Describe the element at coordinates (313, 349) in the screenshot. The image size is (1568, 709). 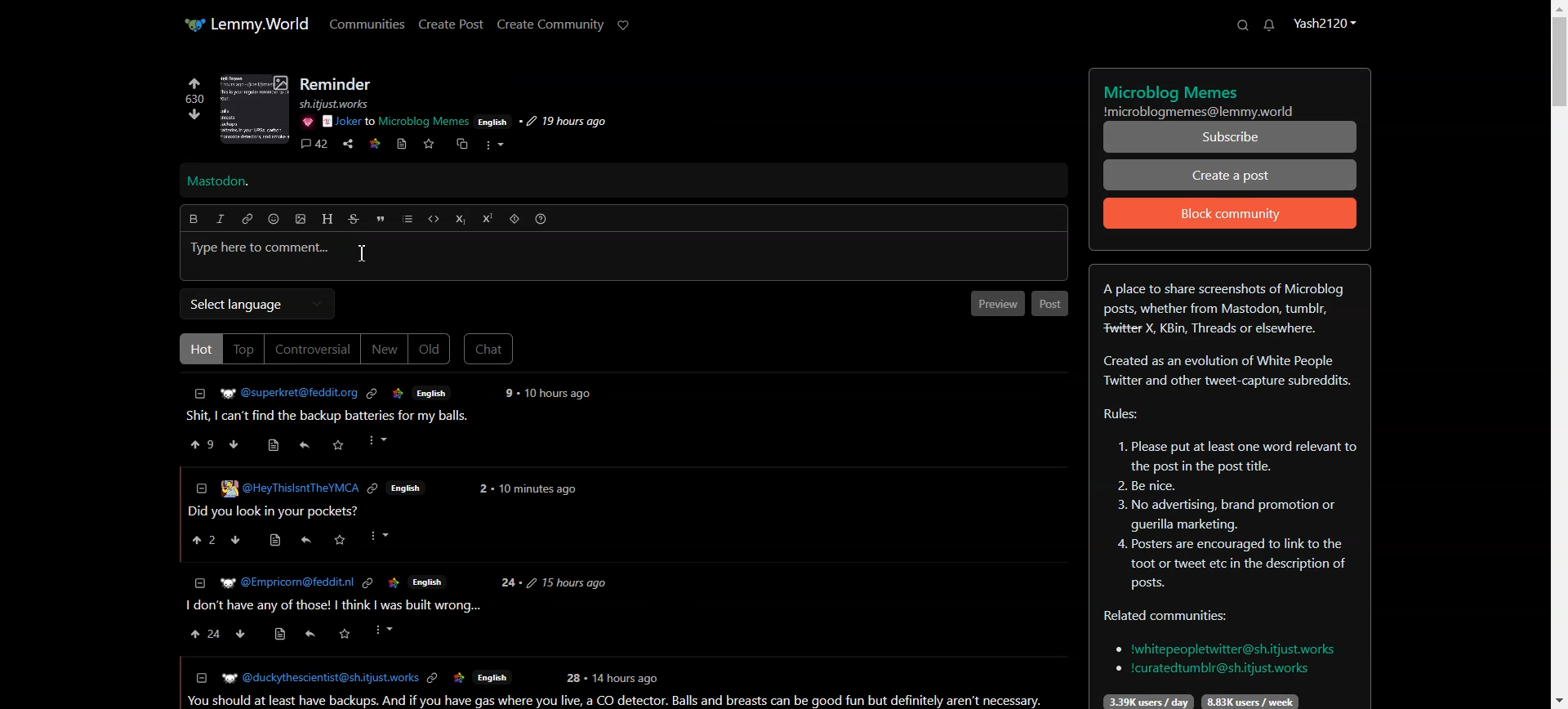
I see `Controversial` at that location.